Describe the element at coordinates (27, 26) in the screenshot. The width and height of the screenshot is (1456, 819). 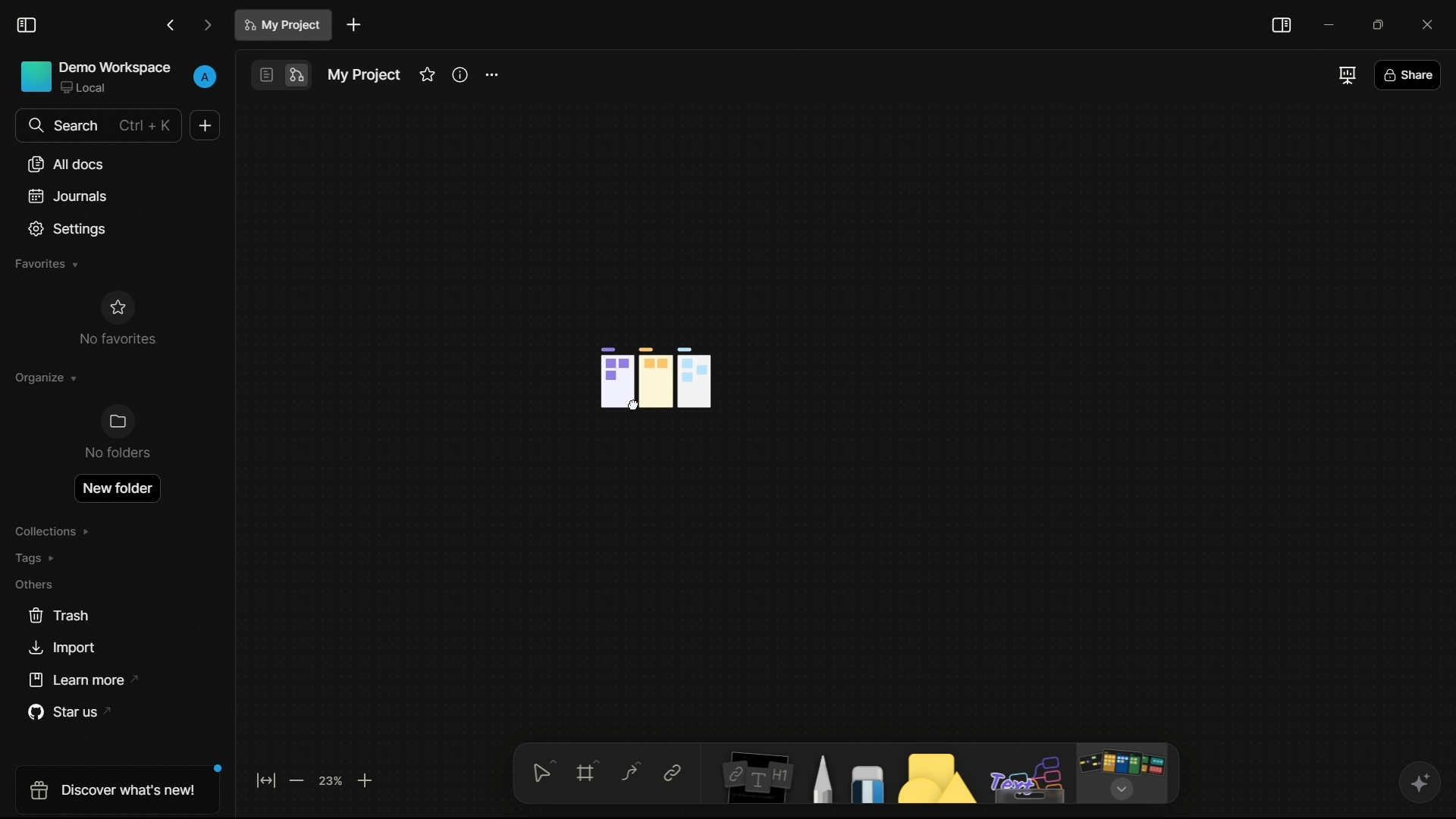
I see `toggle sidebar` at that location.